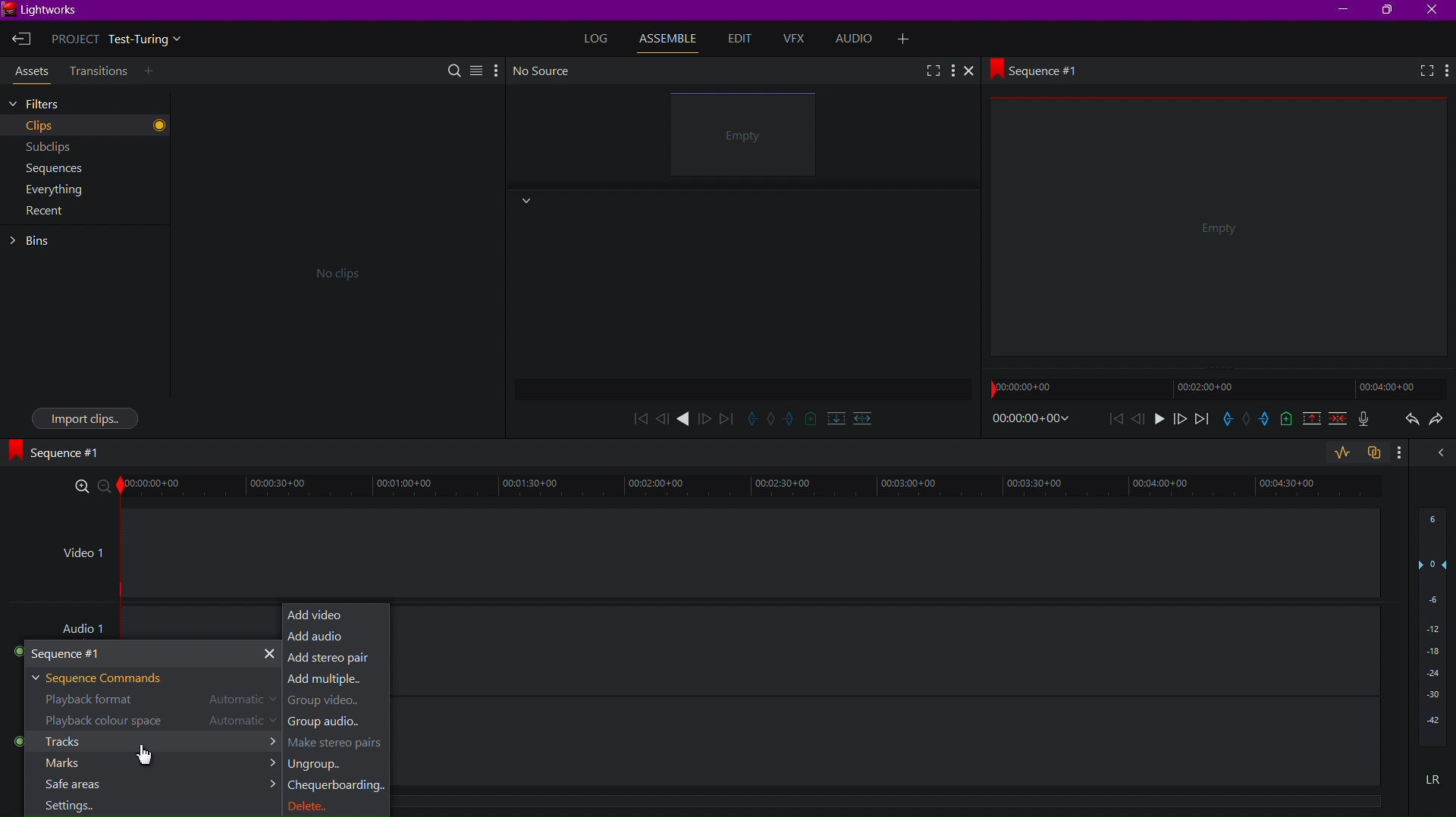  Describe the element at coordinates (475, 68) in the screenshot. I see `List` at that location.